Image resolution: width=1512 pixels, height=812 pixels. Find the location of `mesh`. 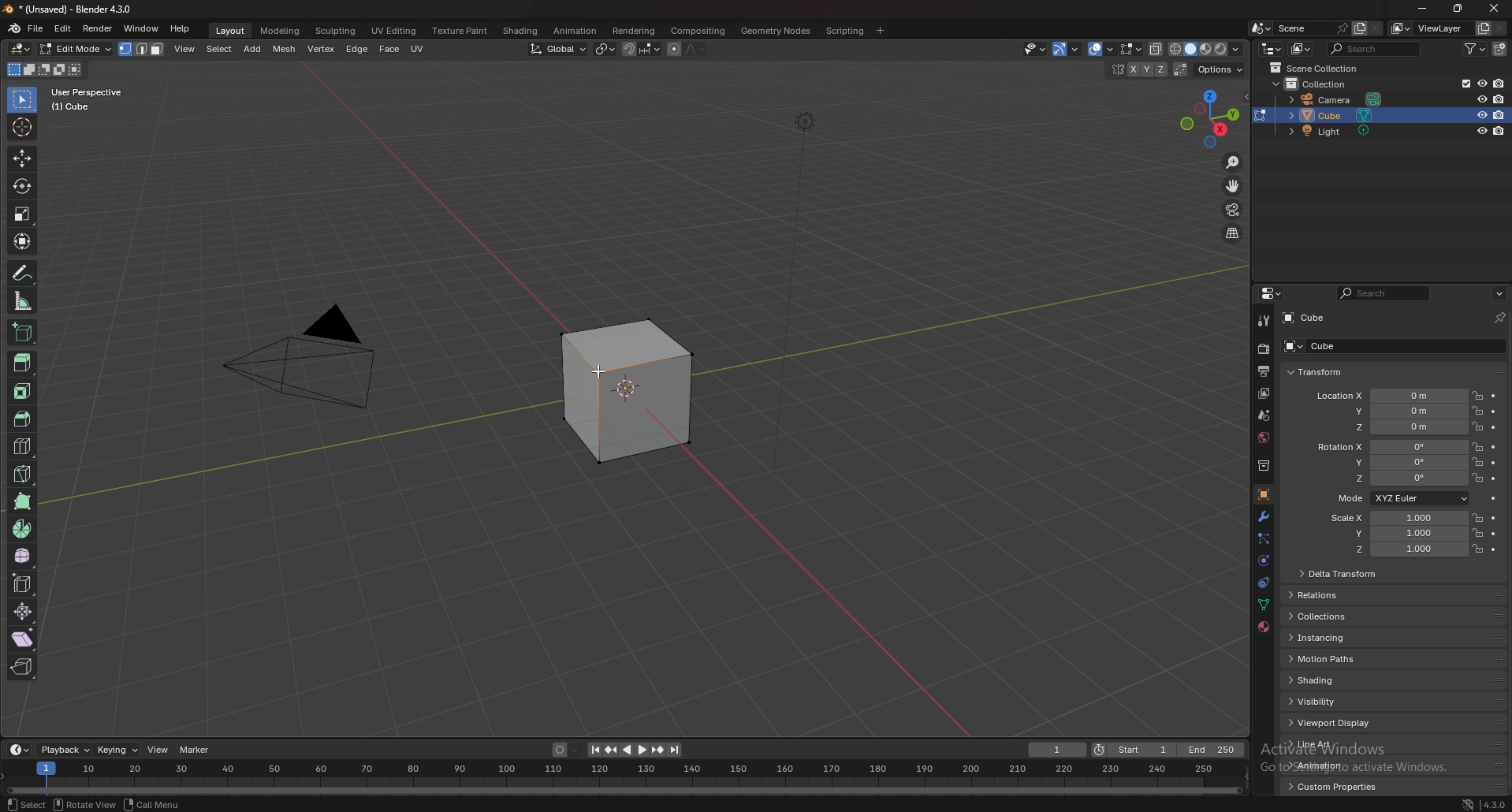

mesh is located at coordinates (284, 50).